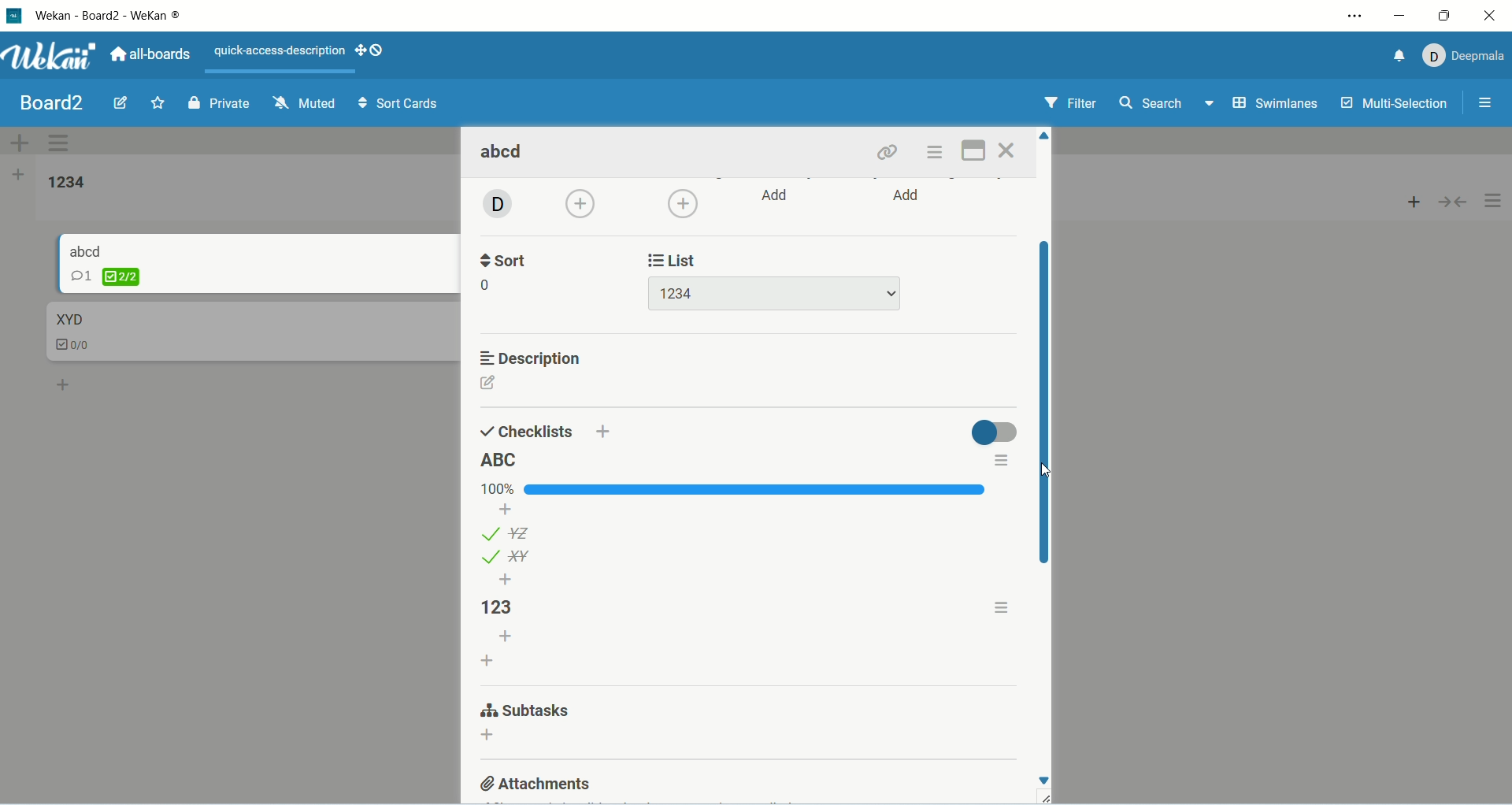 This screenshot has height=805, width=1512. What do you see at coordinates (157, 104) in the screenshot?
I see `favorite` at bounding box center [157, 104].